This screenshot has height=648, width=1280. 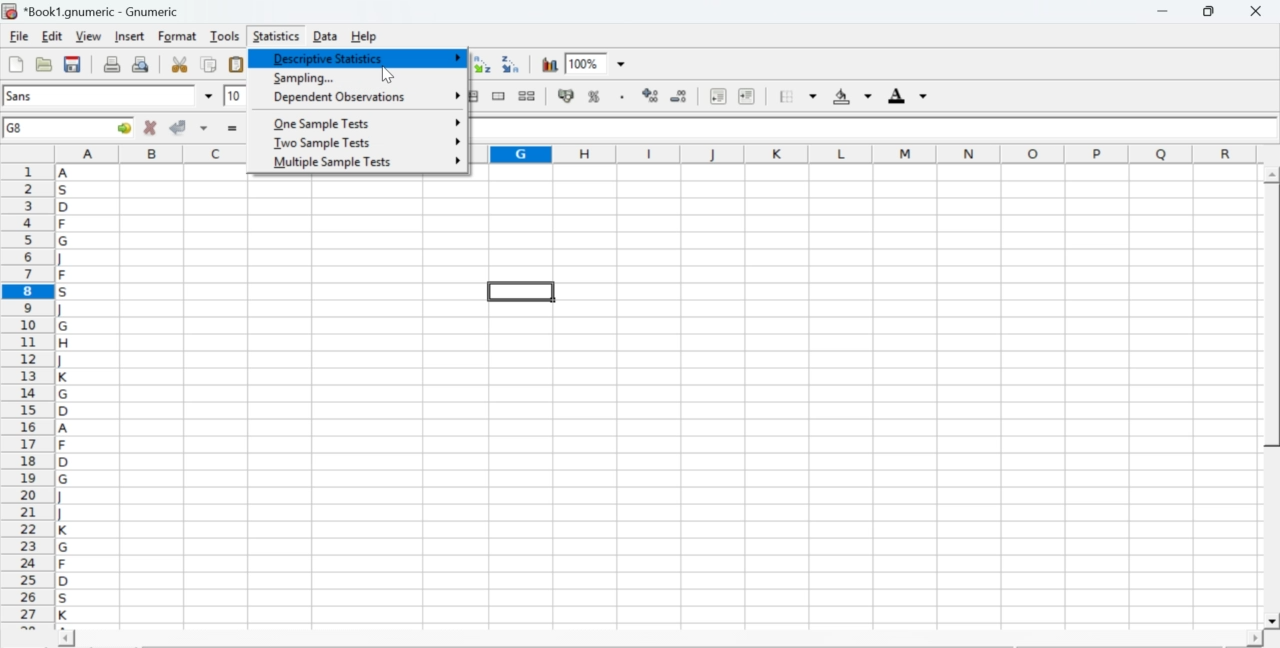 What do you see at coordinates (338, 98) in the screenshot?
I see `dependent observations` at bounding box center [338, 98].